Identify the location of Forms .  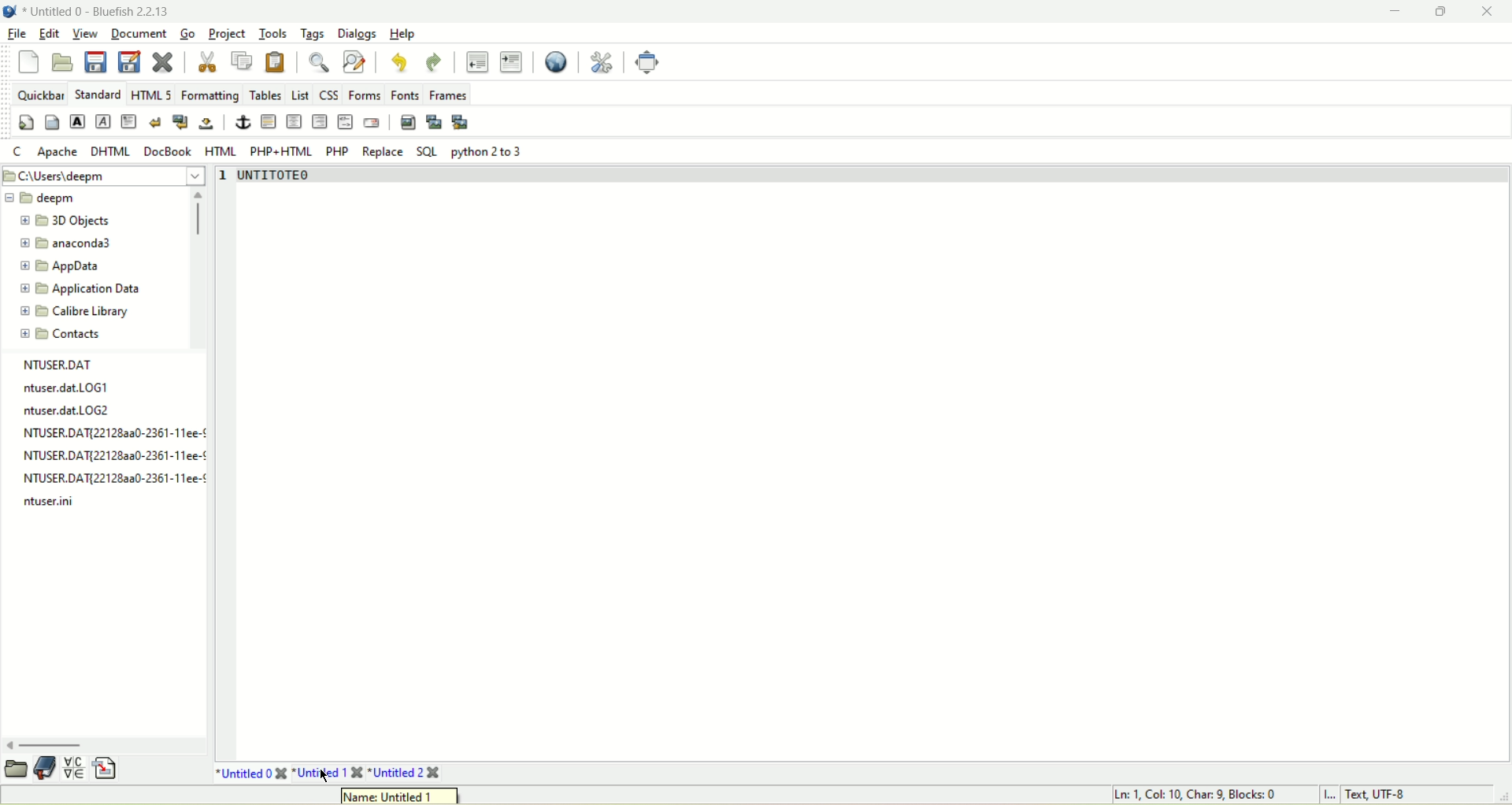
(367, 92).